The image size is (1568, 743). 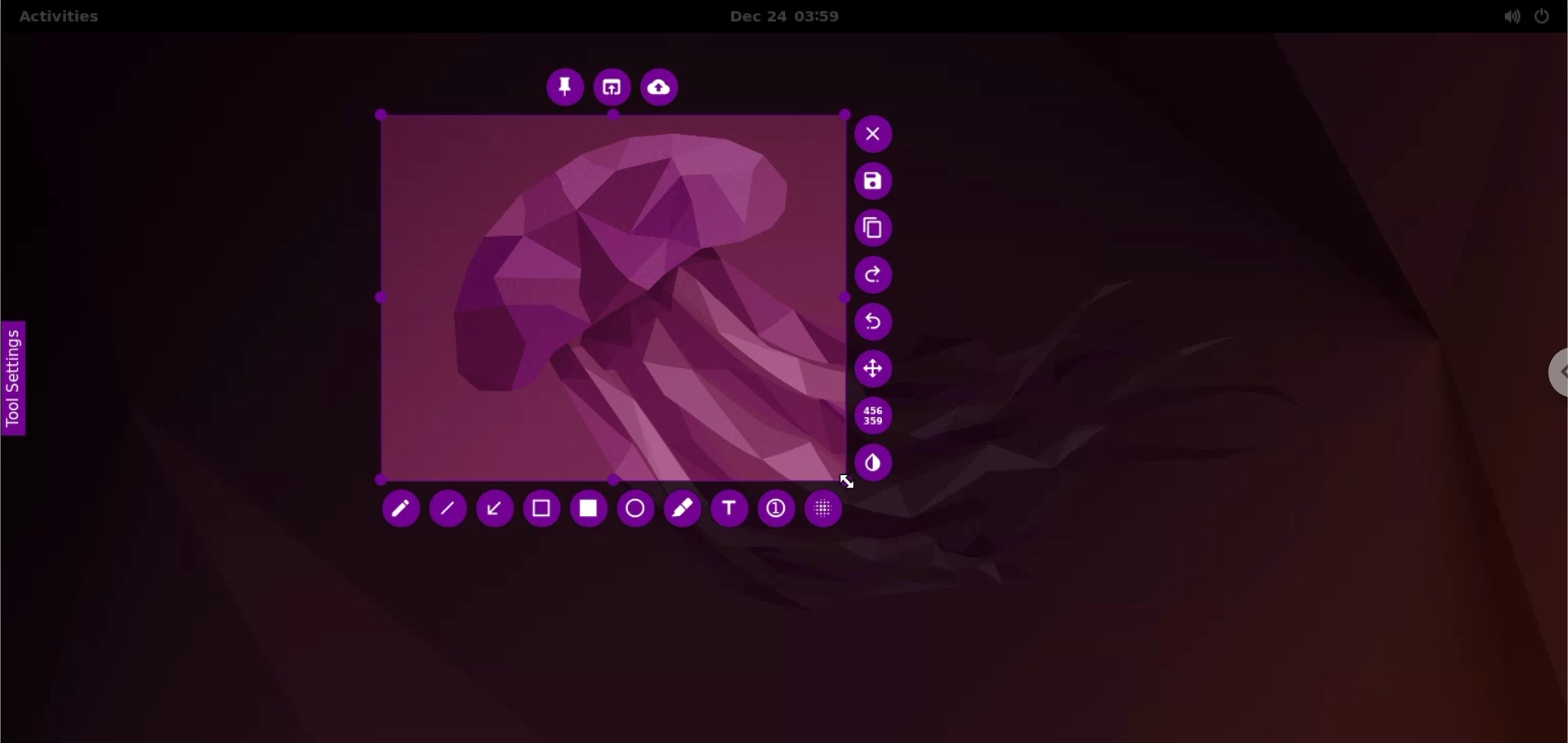 What do you see at coordinates (797, 17) in the screenshot?
I see `Date and time` at bounding box center [797, 17].